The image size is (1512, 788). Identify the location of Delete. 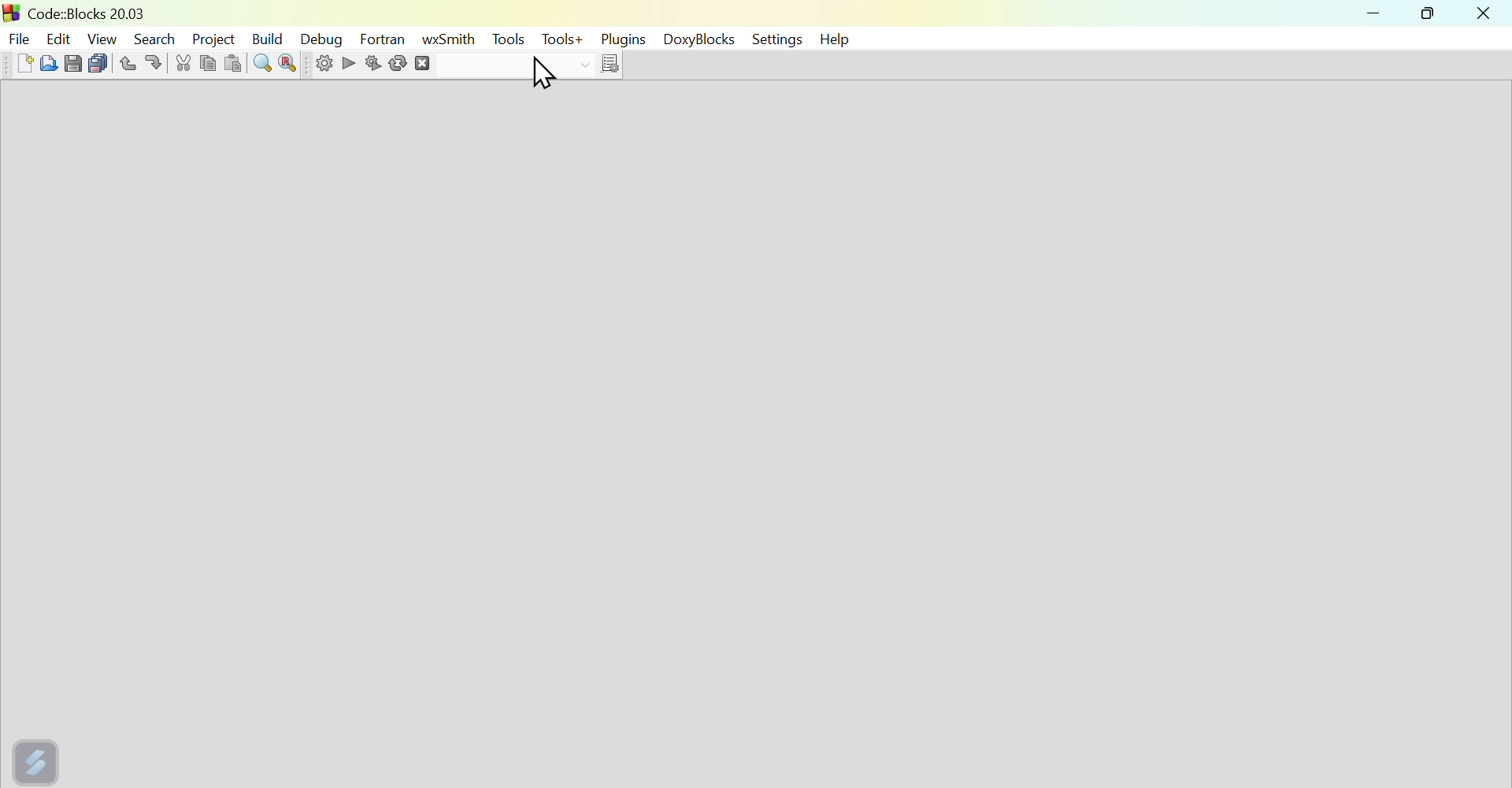
(439, 65).